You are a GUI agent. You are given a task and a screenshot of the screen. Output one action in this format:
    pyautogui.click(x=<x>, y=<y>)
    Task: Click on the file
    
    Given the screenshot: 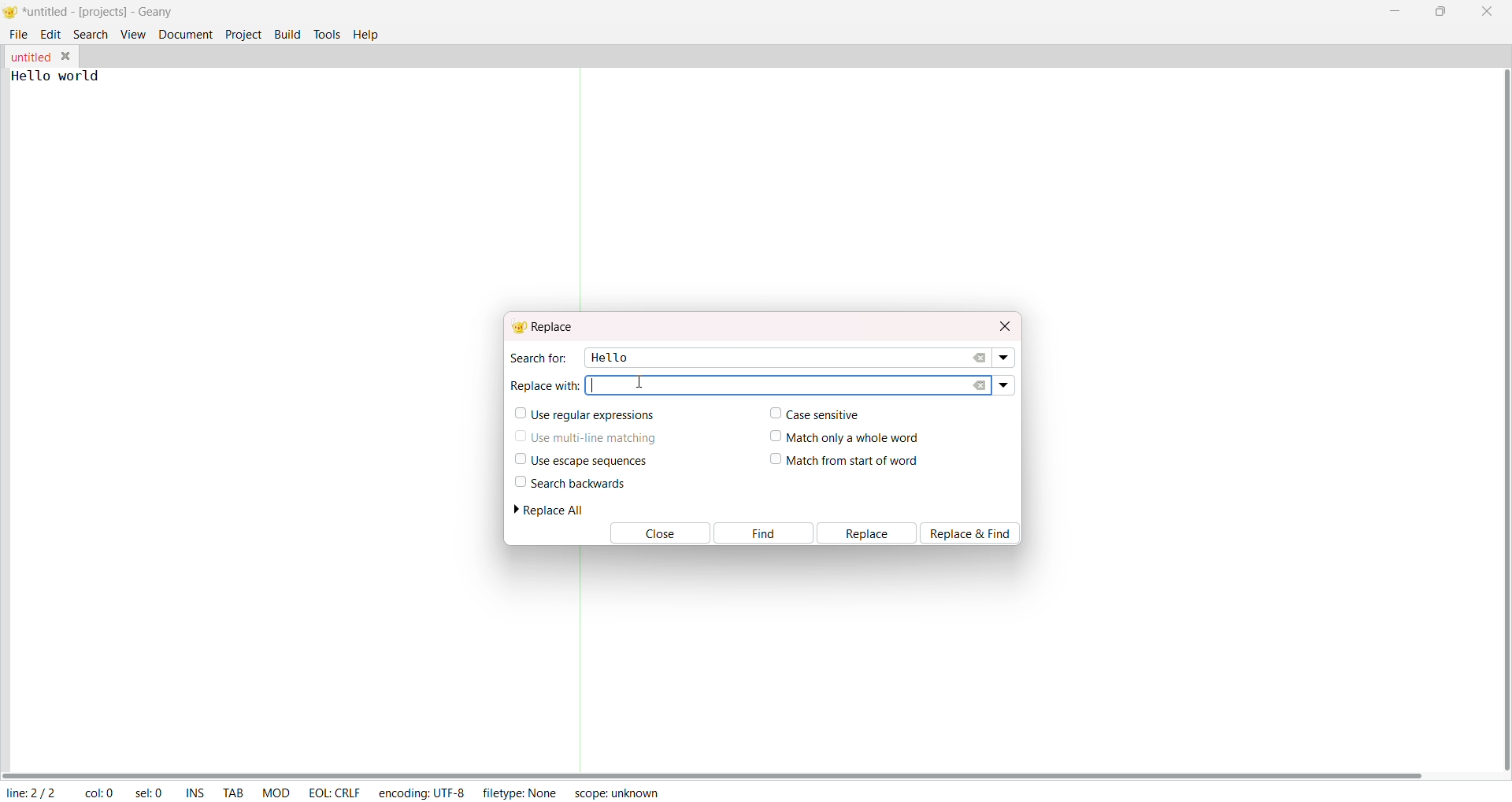 What is the action you would take?
    pyautogui.click(x=20, y=32)
    